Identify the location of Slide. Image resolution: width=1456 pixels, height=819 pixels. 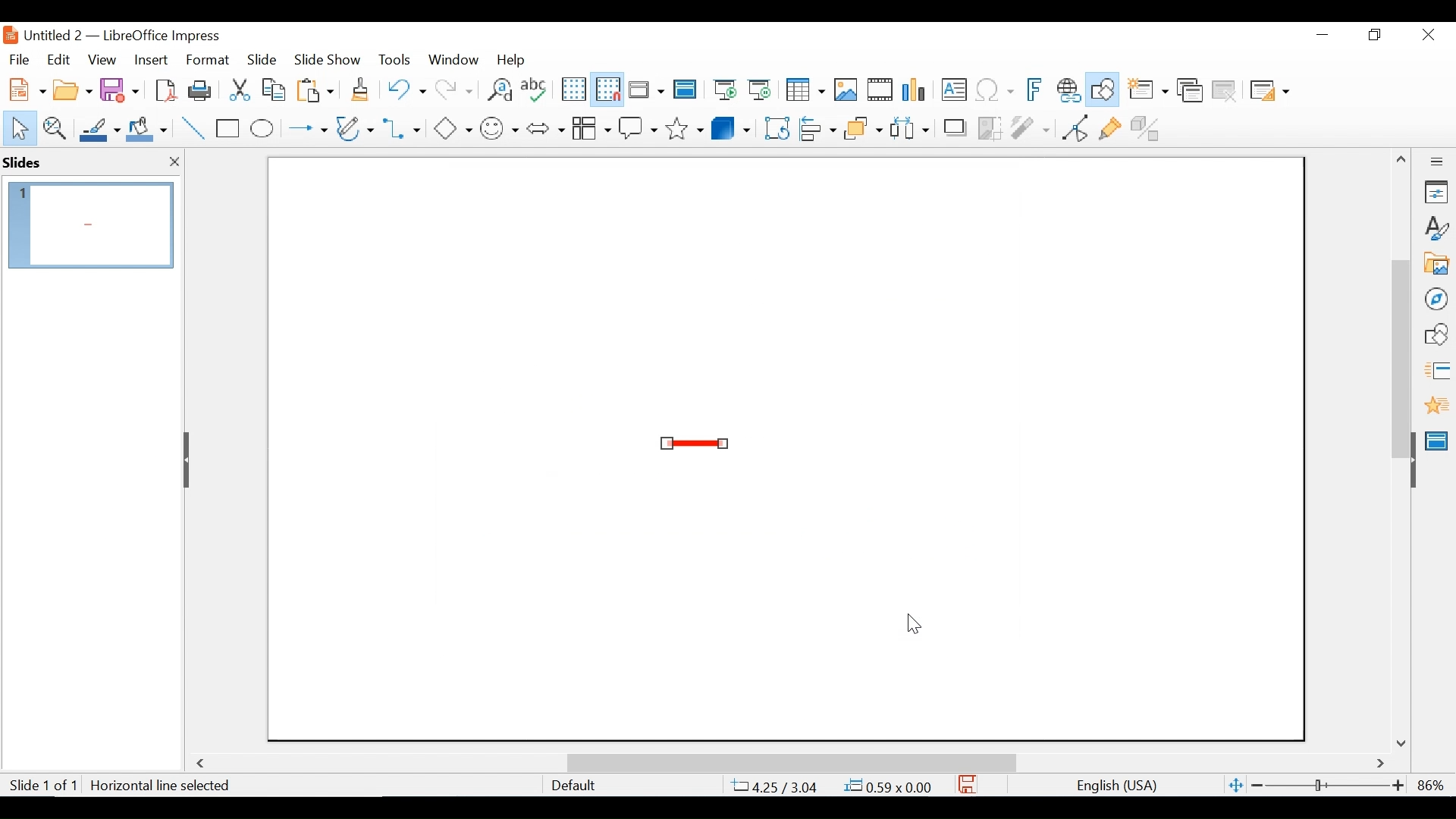
(262, 58).